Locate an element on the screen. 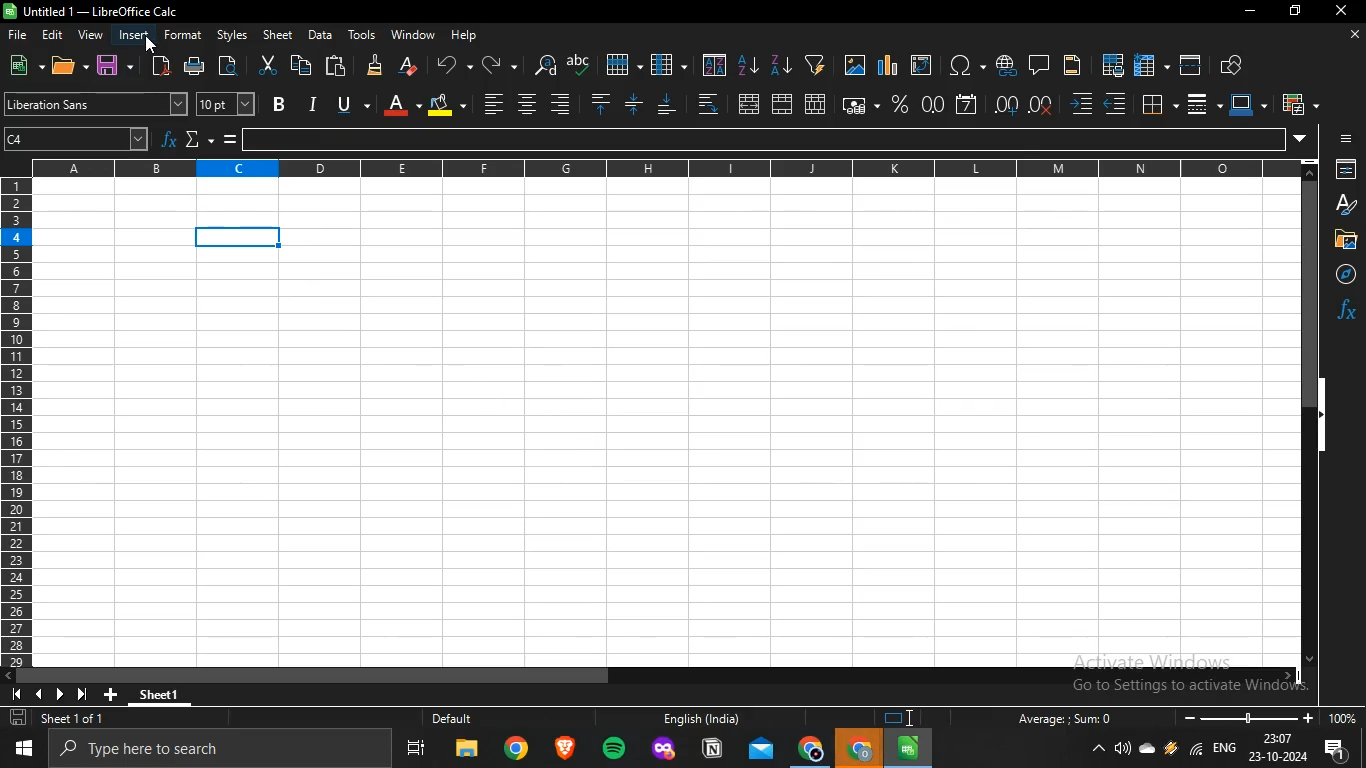 This screenshot has width=1366, height=768. format as percent  is located at coordinates (899, 103).